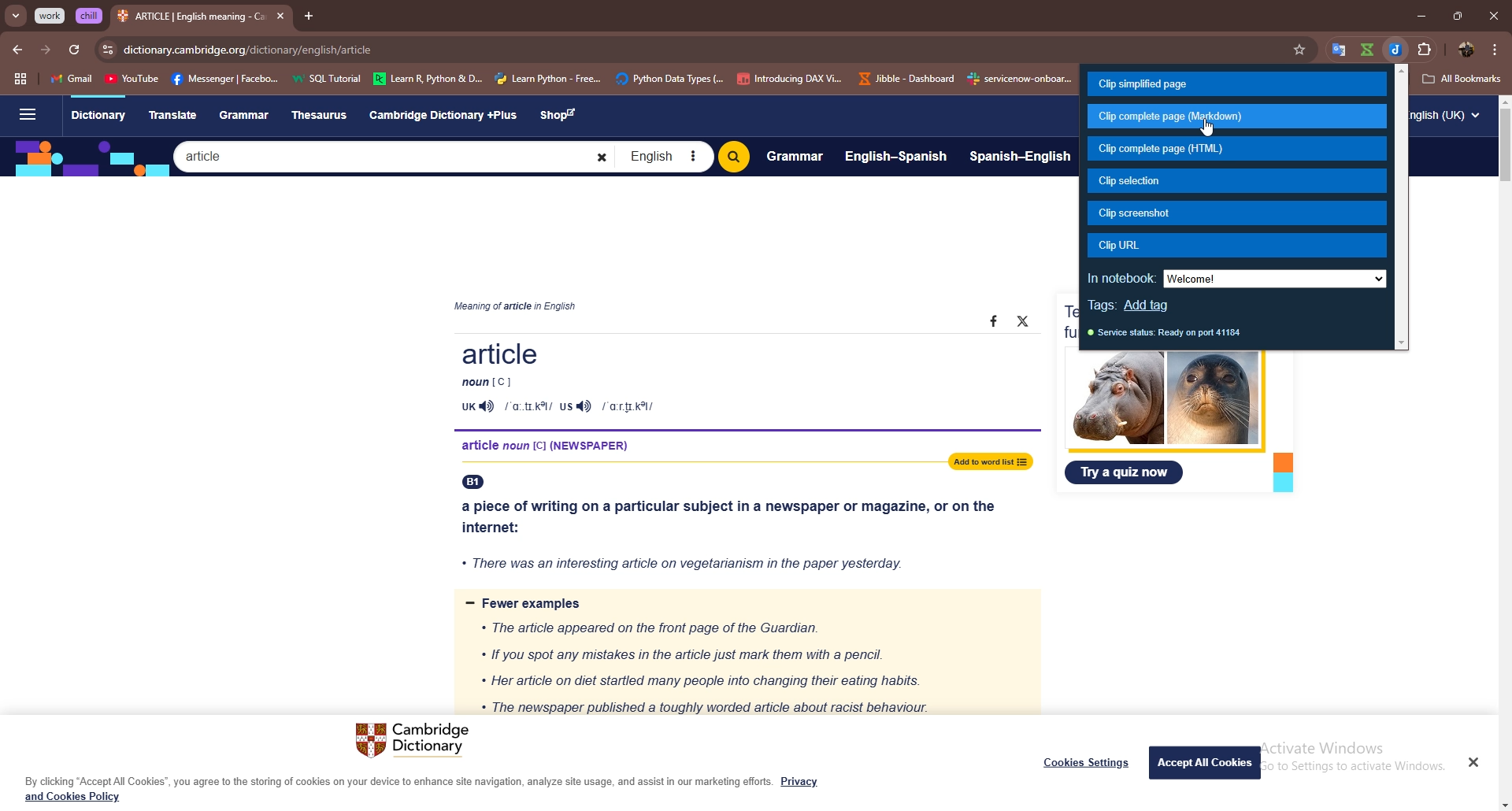 The image size is (1512, 811). What do you see at coordinates (563, 77) in the screenshot?
I see `bookmarks bar` at bounding box center [563, 77].